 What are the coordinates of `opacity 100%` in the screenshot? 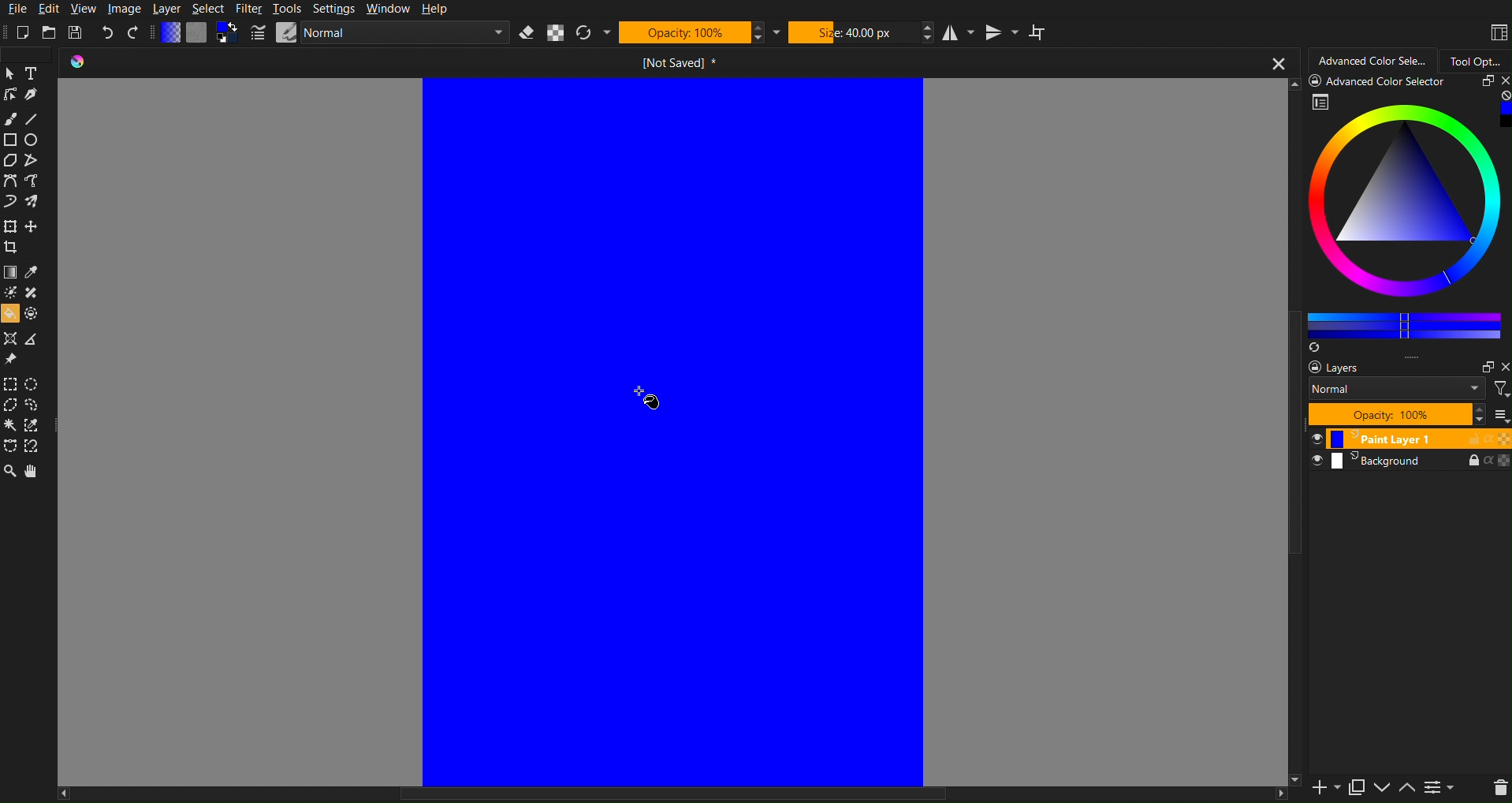 It's located at (1404, 415).